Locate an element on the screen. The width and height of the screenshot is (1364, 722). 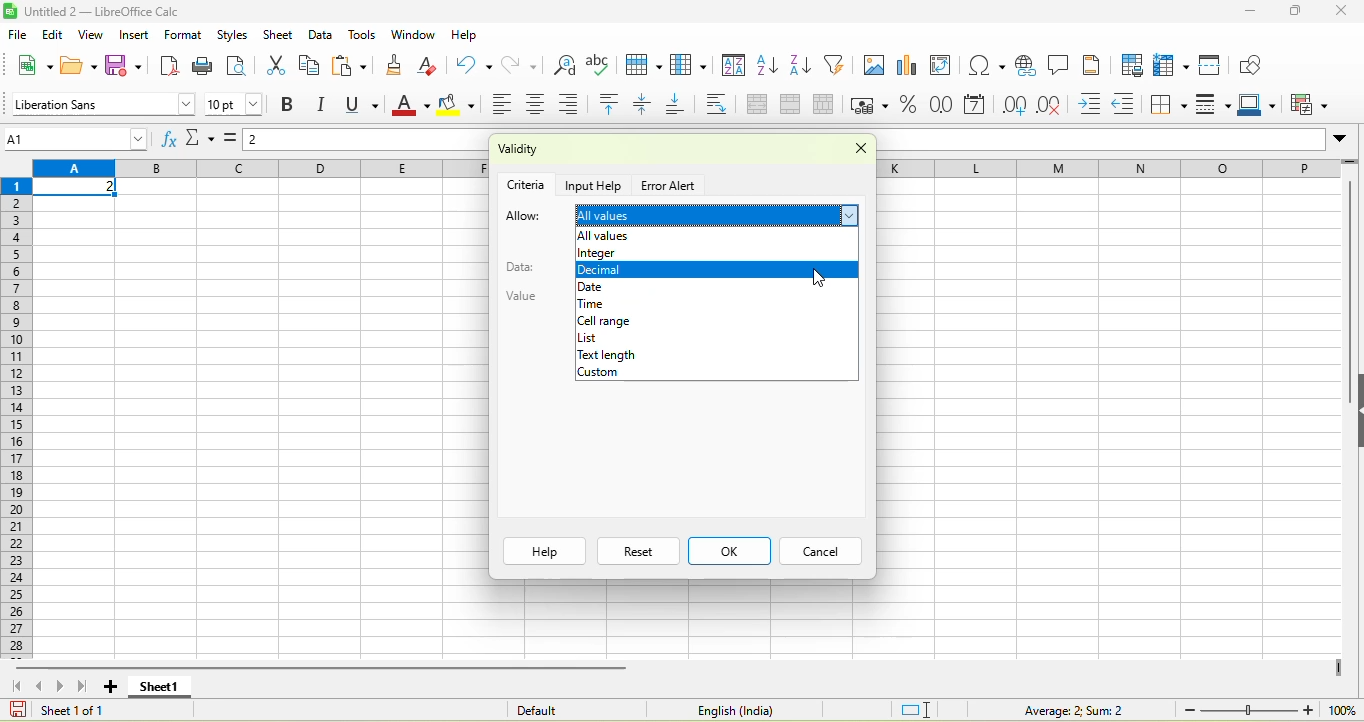
list is located at coordinates (714, 339).